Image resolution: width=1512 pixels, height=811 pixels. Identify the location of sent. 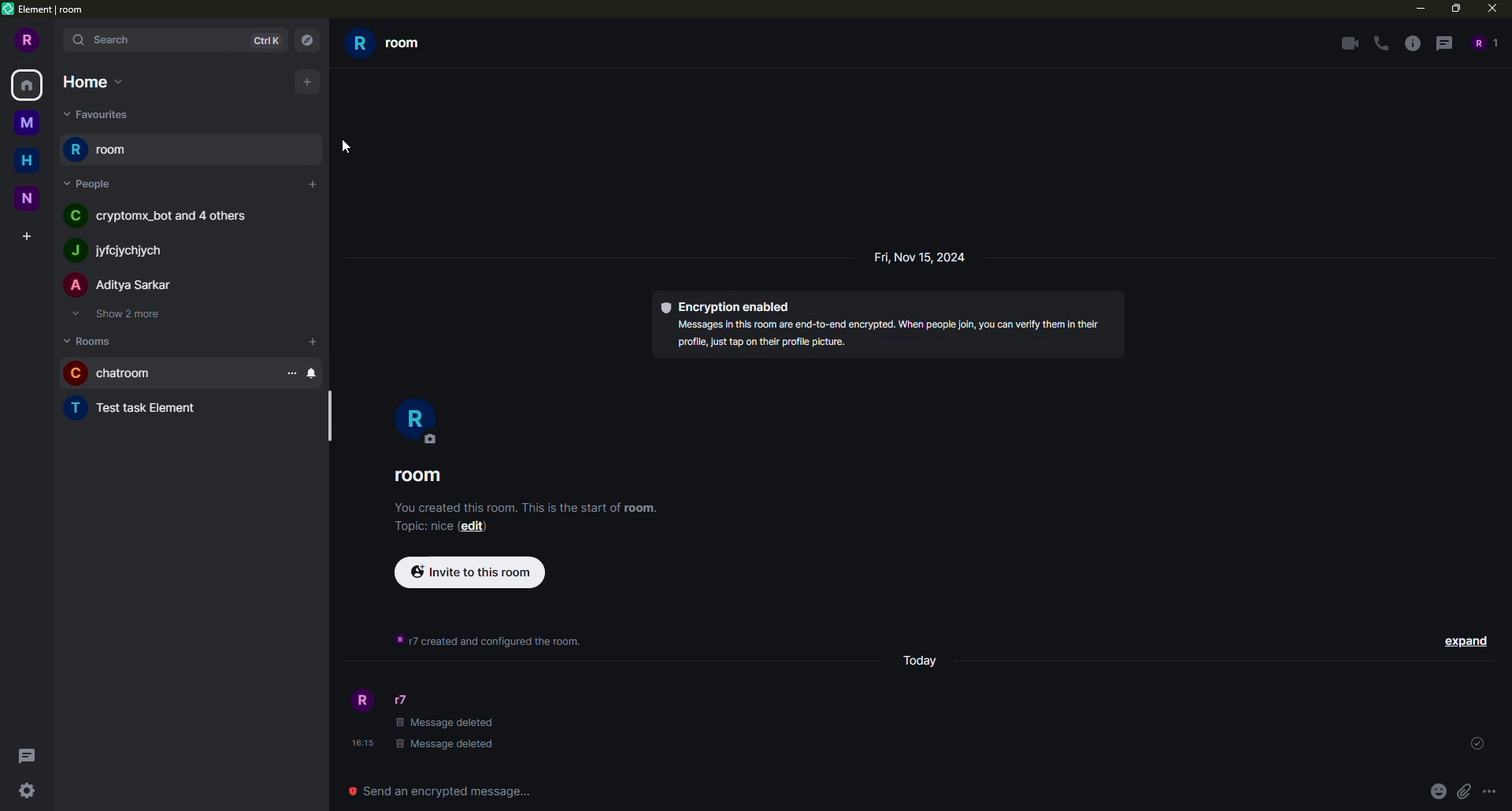
(1477, 744).